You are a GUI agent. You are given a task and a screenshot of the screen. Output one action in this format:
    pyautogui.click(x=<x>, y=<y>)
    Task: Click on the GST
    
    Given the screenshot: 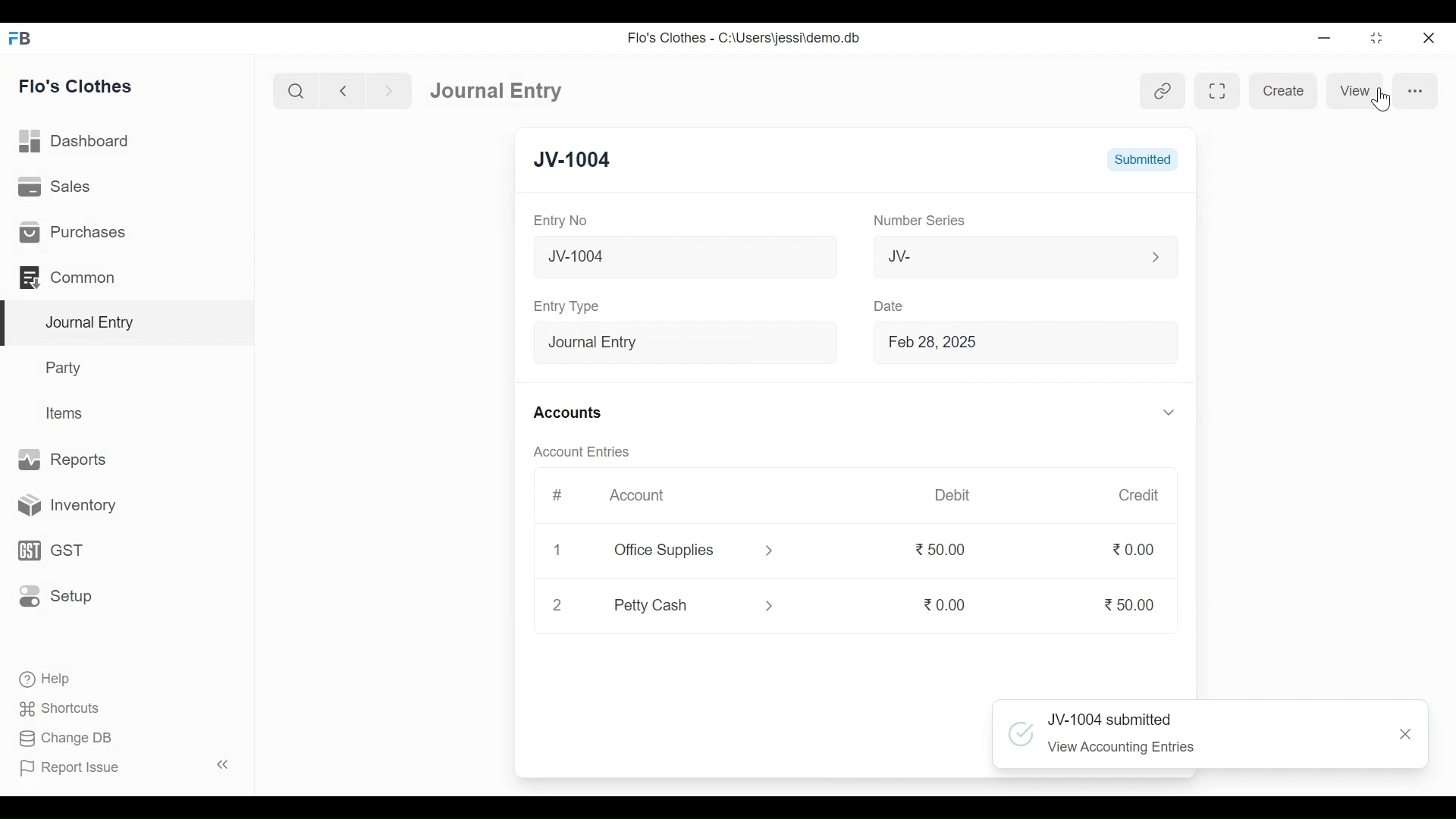 What is the action you would take?
    pyautogui.click(x=49, y=552)
    